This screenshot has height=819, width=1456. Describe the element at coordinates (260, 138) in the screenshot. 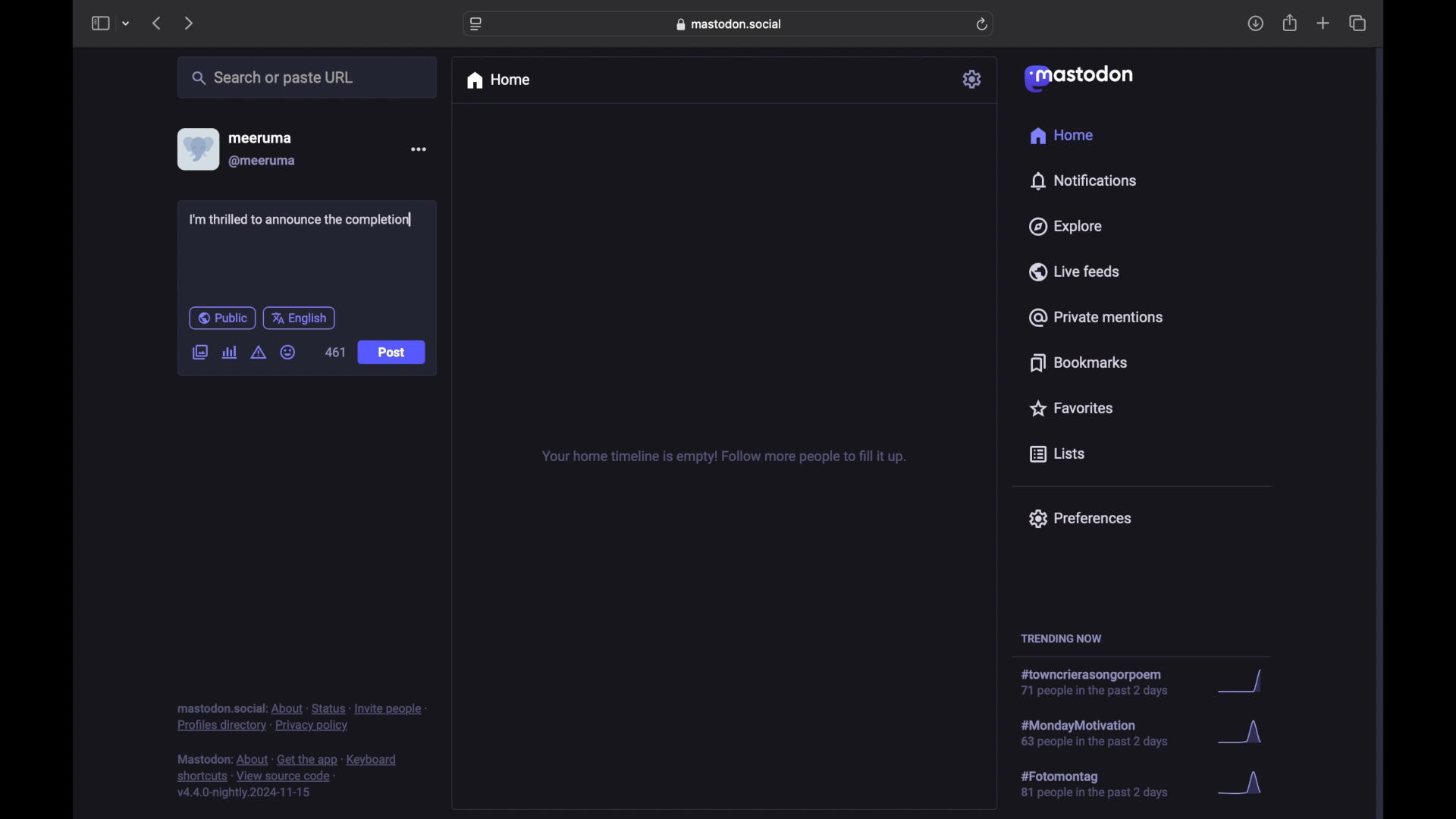

I see `meeruma` at that location.